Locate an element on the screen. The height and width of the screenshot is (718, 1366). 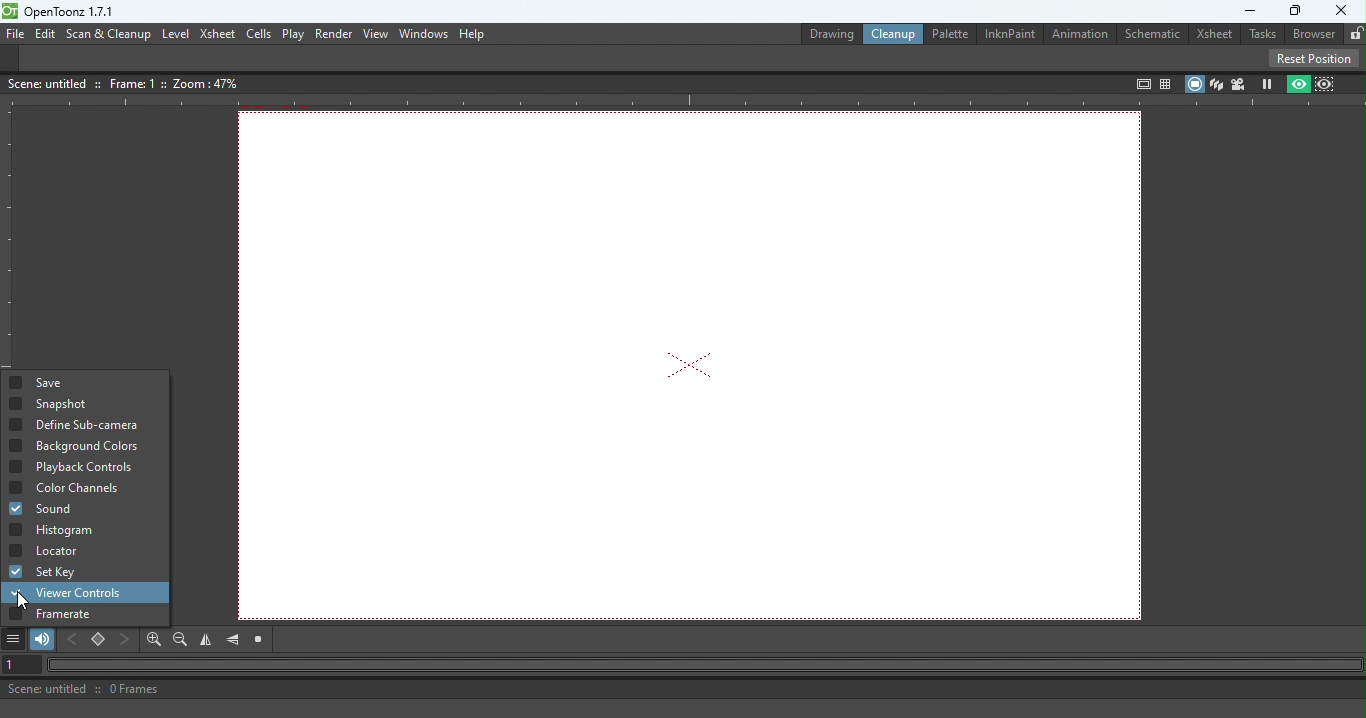
Set the current frame is located at coordinates (18, 665).